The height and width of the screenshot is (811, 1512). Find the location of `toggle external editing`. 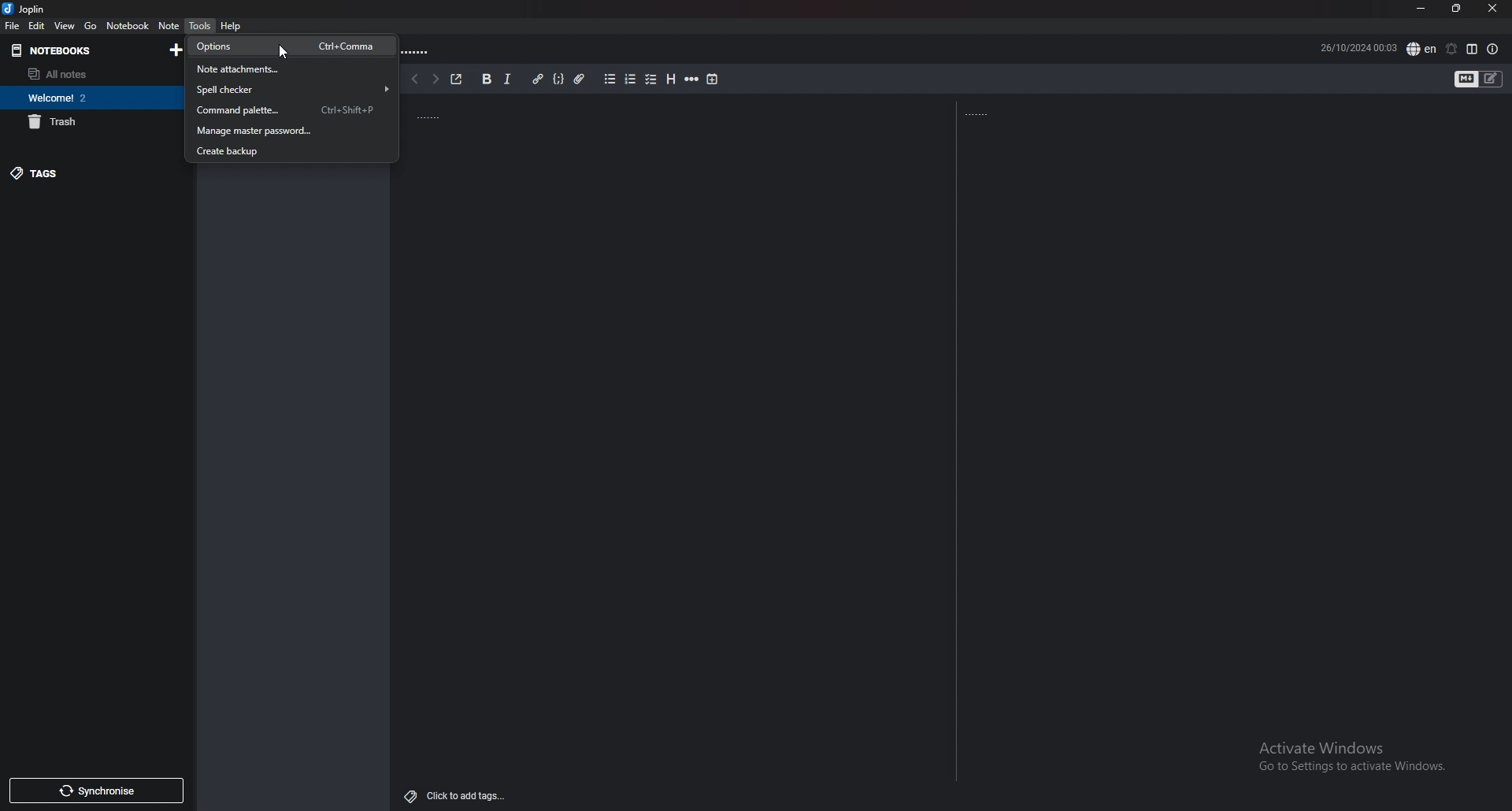

toggle external editing is located at coordinates (457, 77).